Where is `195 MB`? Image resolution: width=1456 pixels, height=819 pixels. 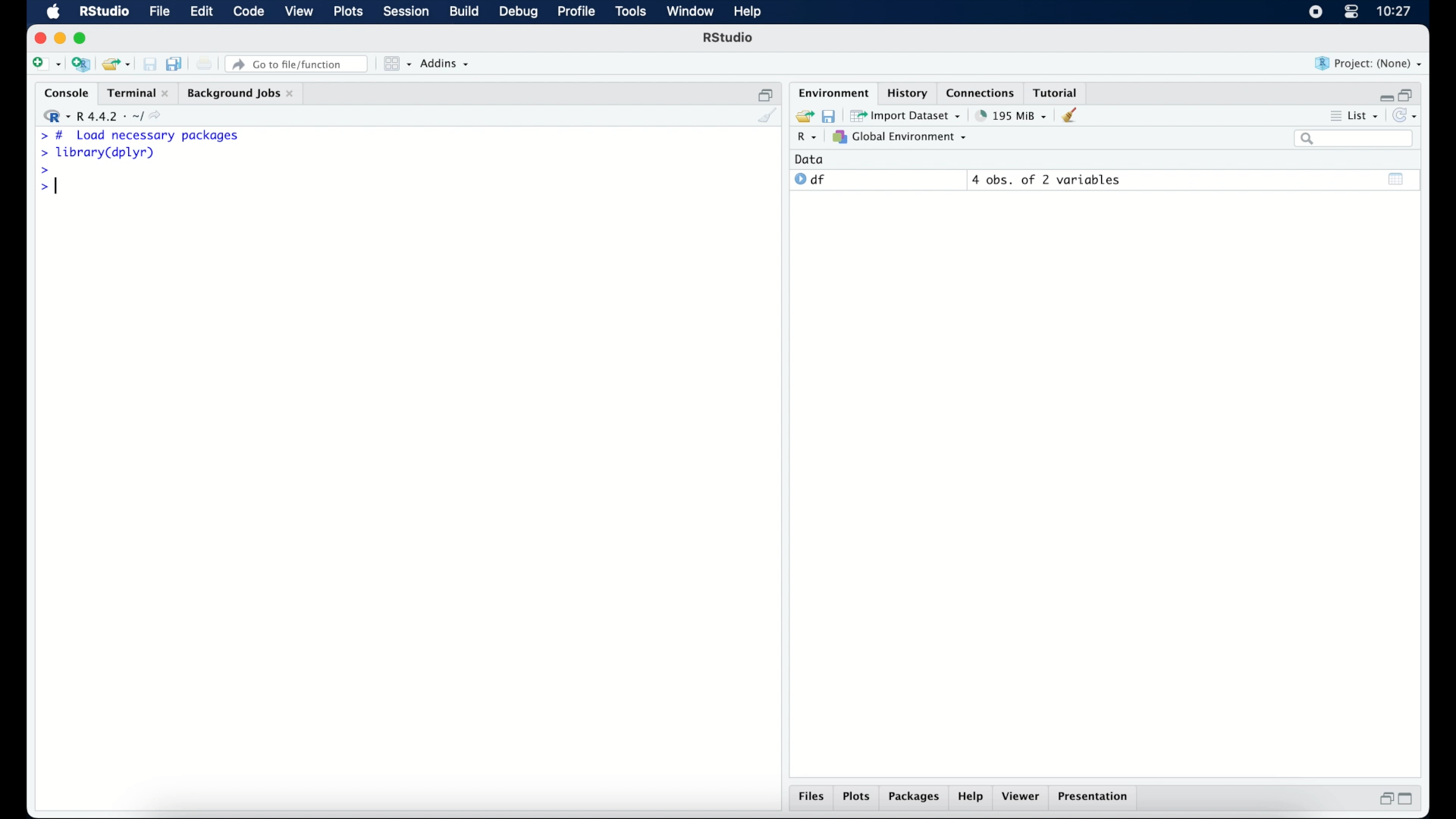
195 MB is located at coordinates (1010, 115).